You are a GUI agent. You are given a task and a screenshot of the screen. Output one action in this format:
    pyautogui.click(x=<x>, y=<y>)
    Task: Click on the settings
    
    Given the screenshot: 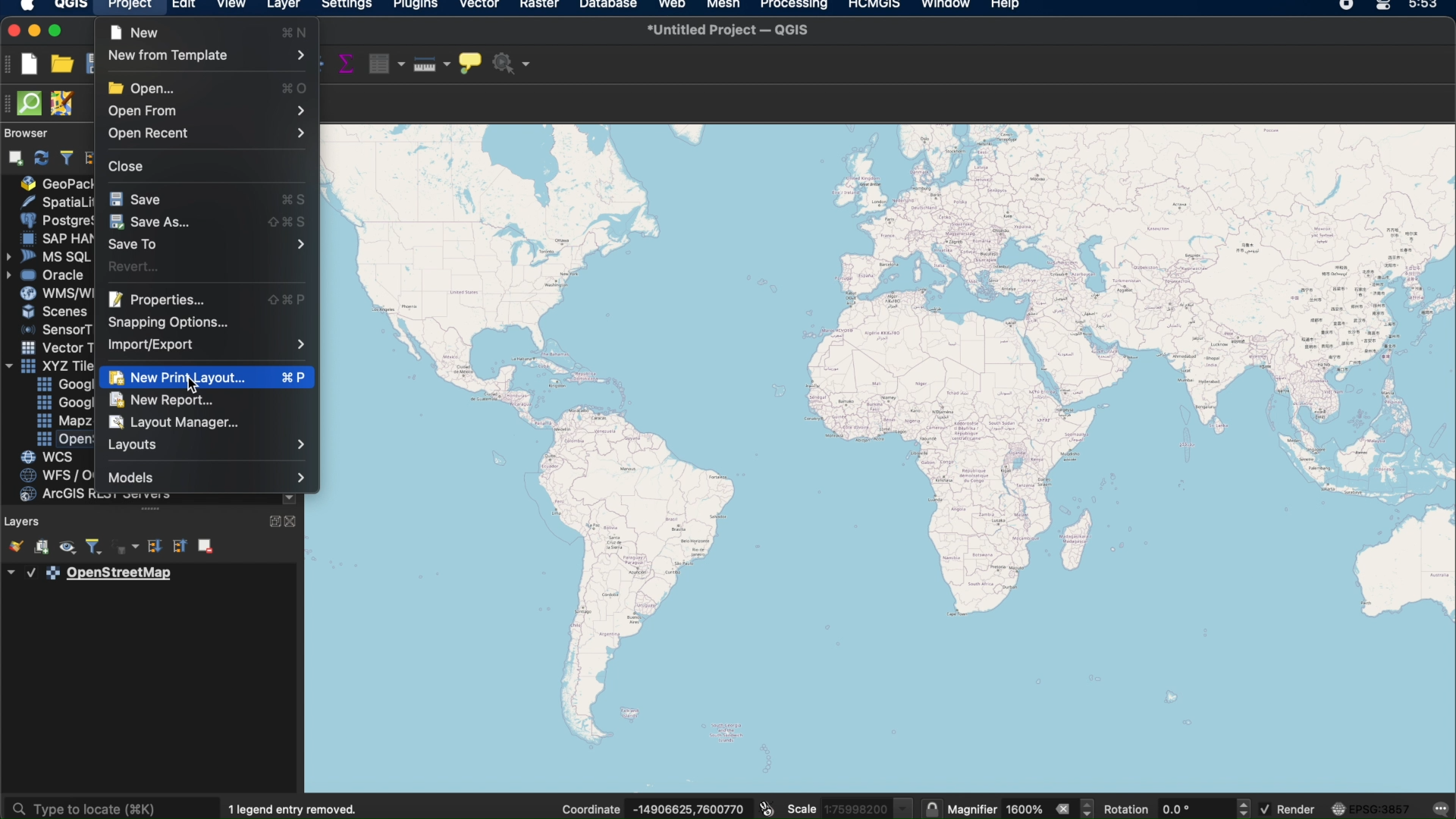 What is the action you would take?
    pyautogui.click(x=347, y=6)
    